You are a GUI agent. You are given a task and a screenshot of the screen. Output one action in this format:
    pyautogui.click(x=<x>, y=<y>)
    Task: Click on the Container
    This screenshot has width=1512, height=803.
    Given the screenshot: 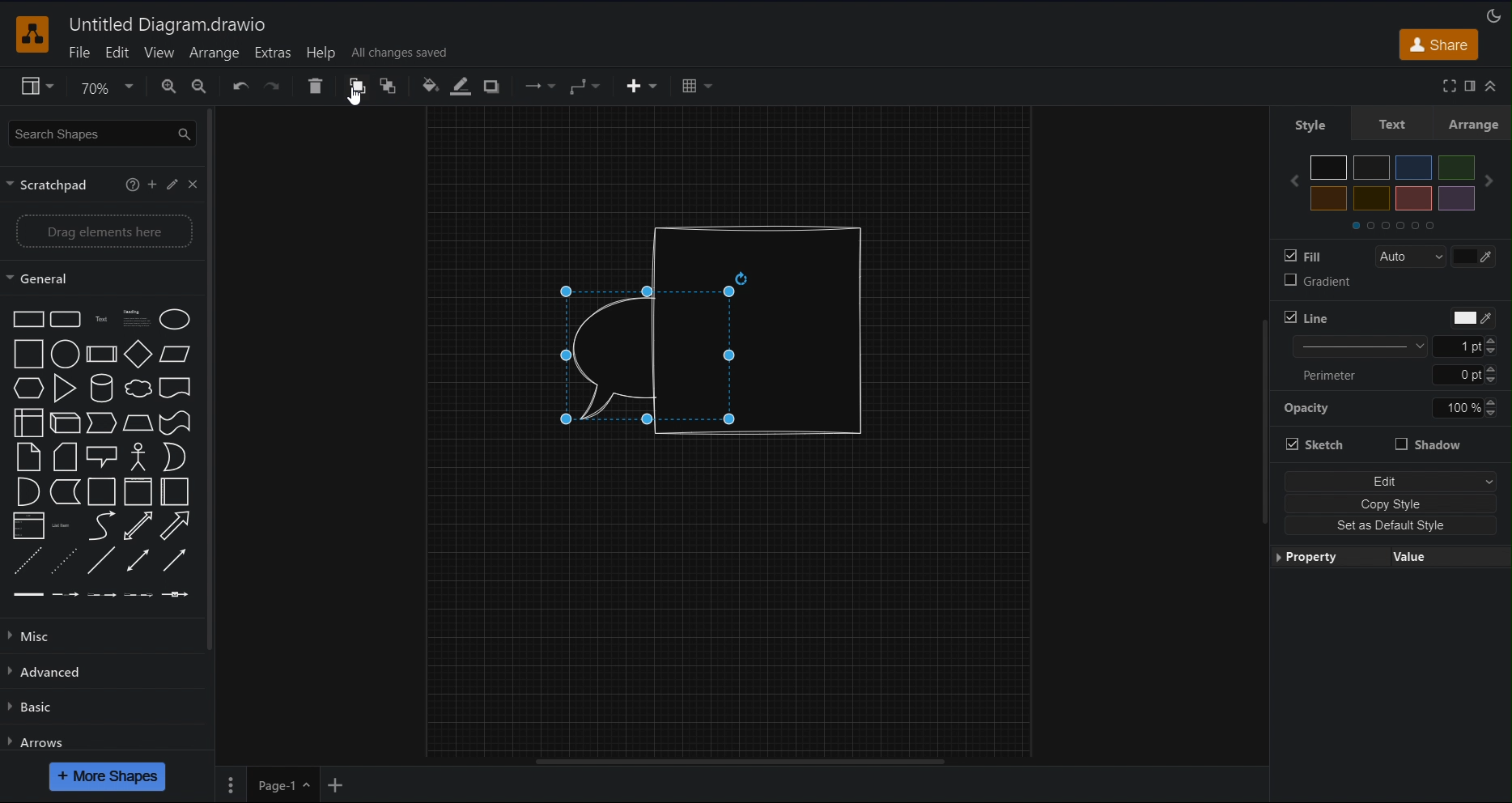 What is the action you would take?
    pyautogui.click(x=138, y=492)
    